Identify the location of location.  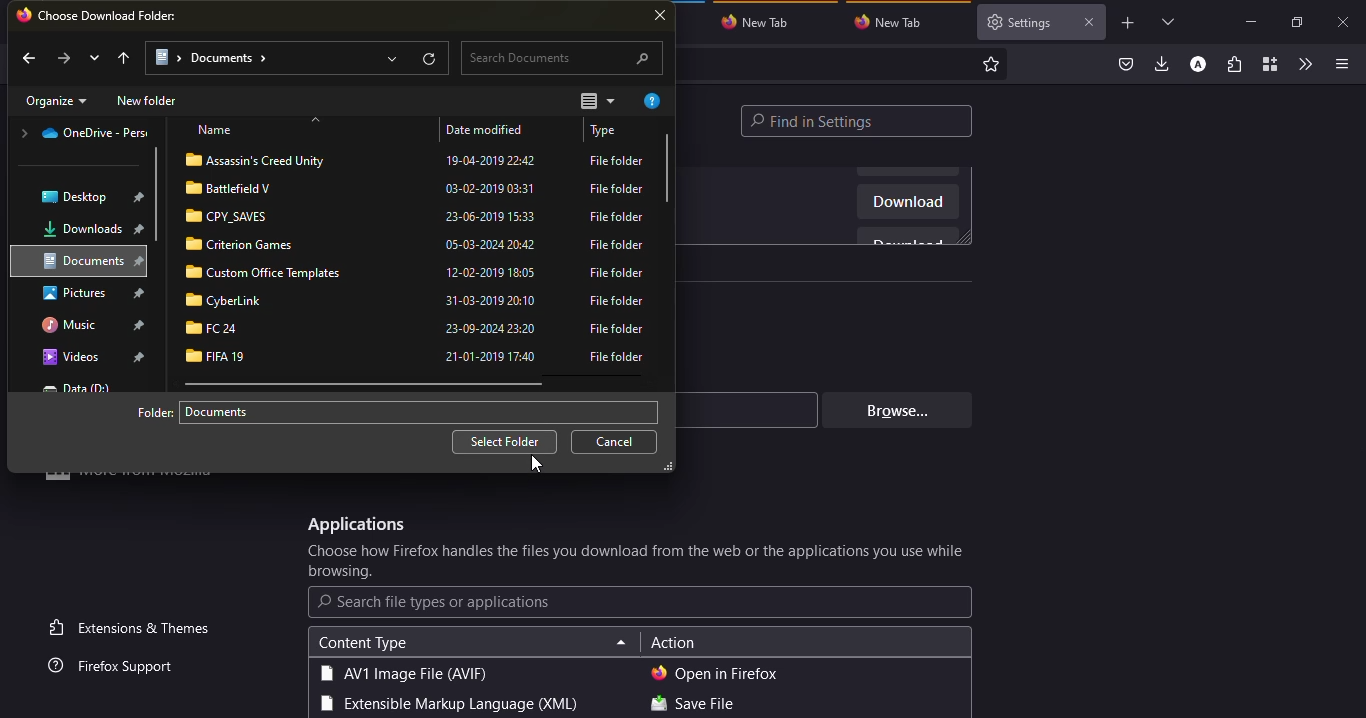
(77, 197).